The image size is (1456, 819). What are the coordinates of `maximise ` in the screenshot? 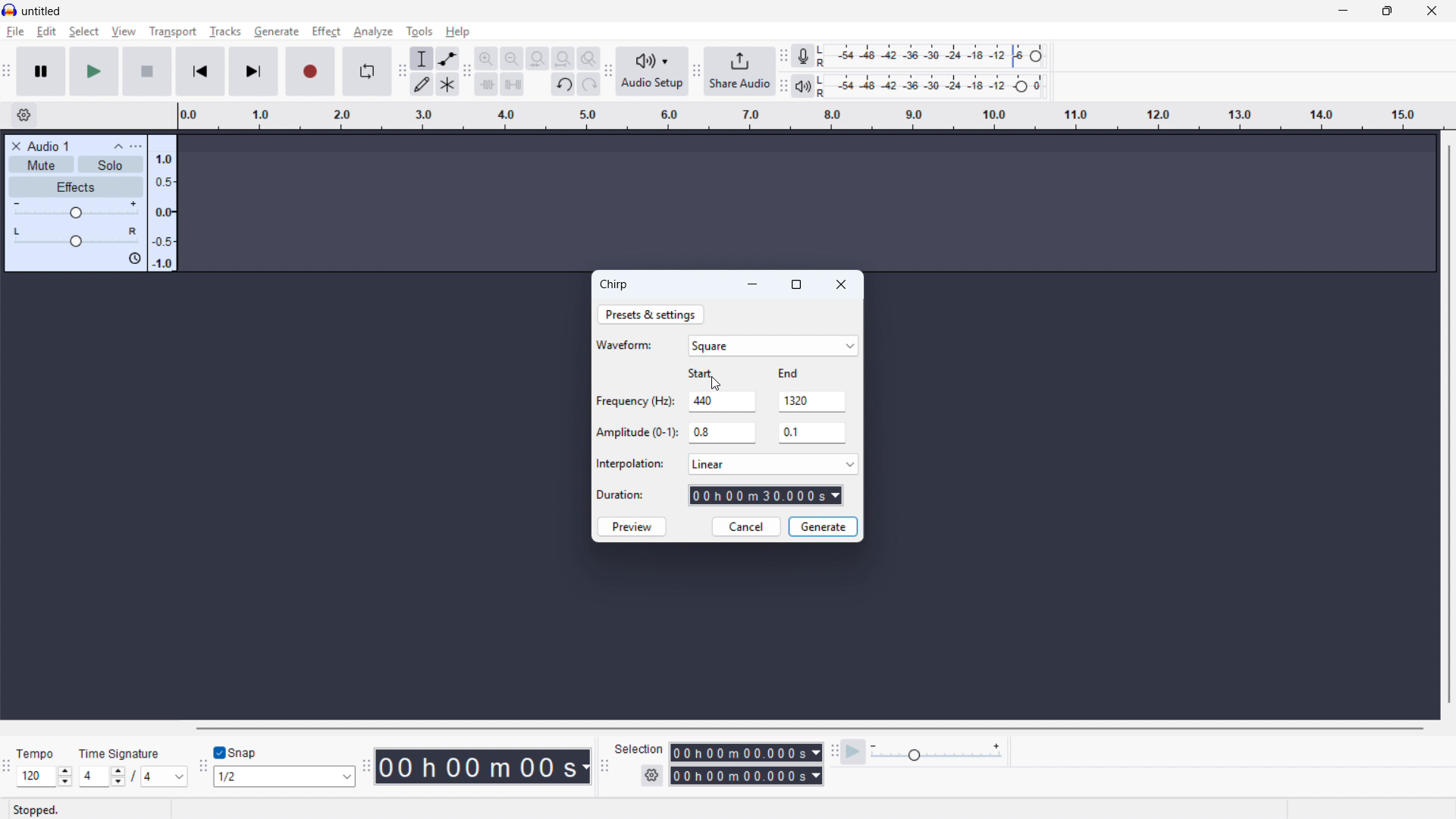 It's located at (795, 284).